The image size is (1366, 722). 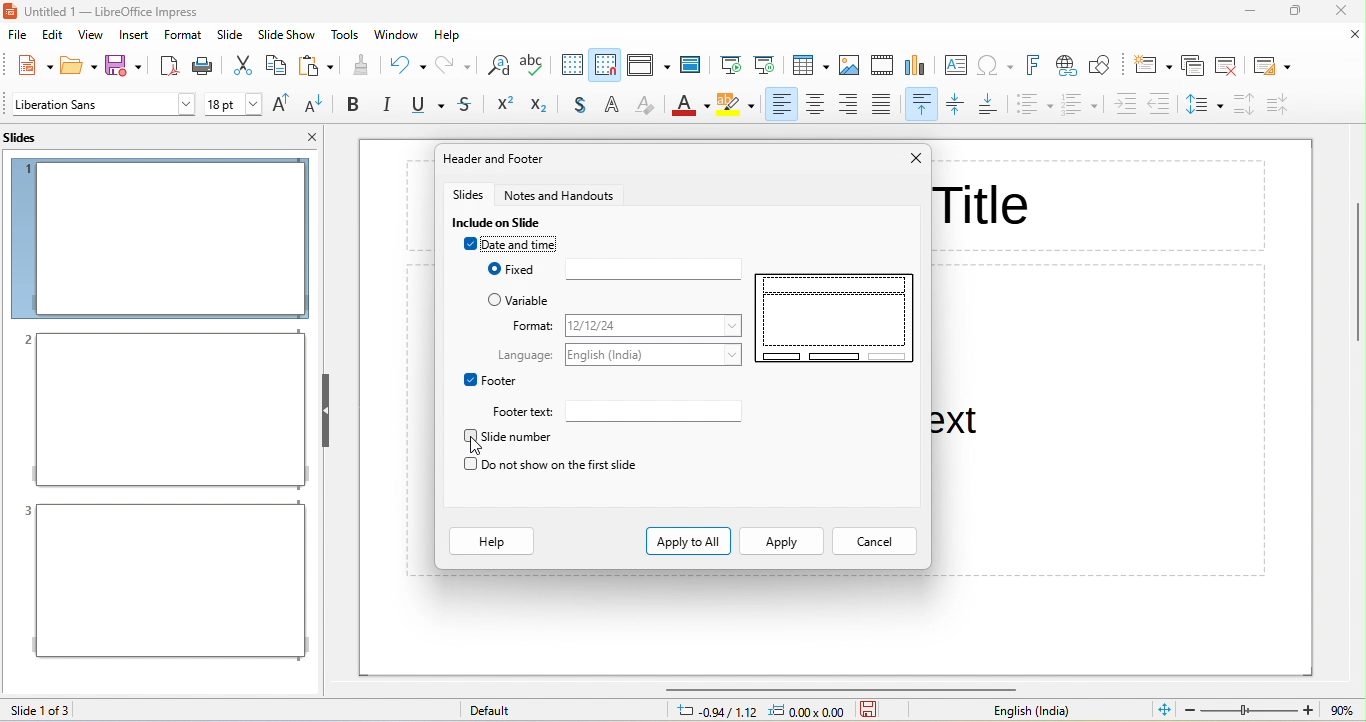 What do you see at coordinates (19, 37) in the screenshot?
I see `file` at bounding box center [19, 37].